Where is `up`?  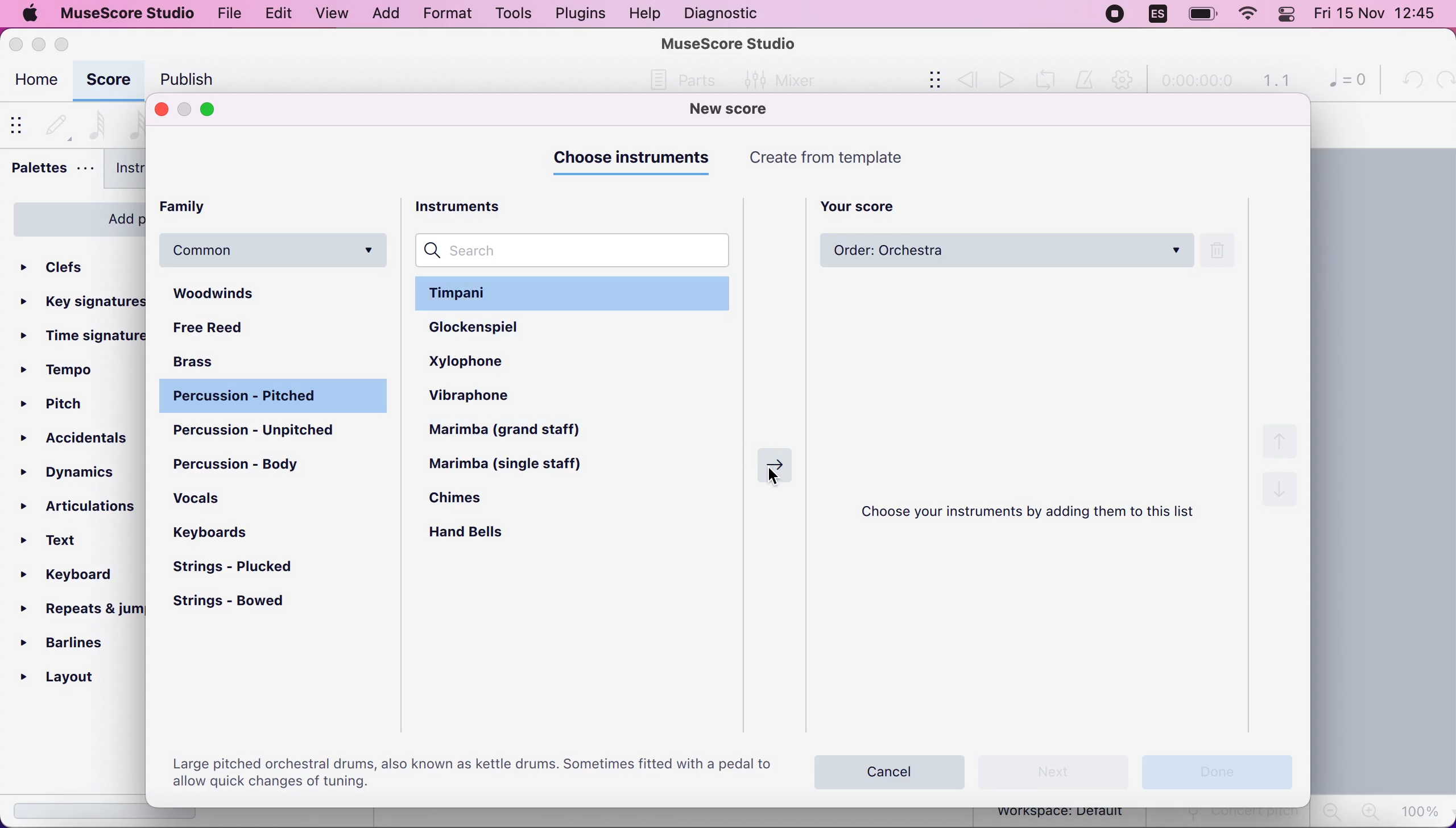 up is located at coordinates (1283, 440).